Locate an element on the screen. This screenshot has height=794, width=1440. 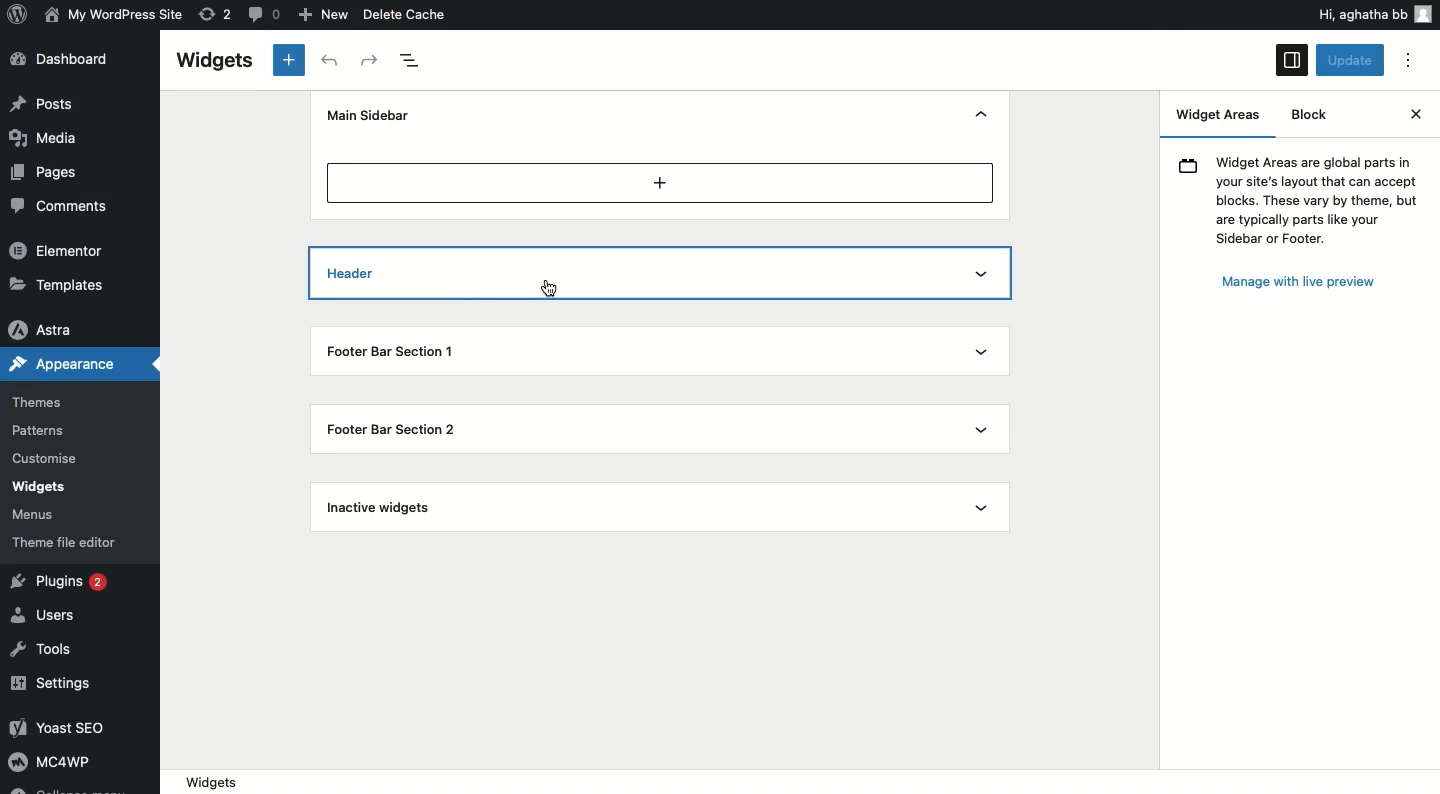
Sidebar is located at coordinates (1292, 60).